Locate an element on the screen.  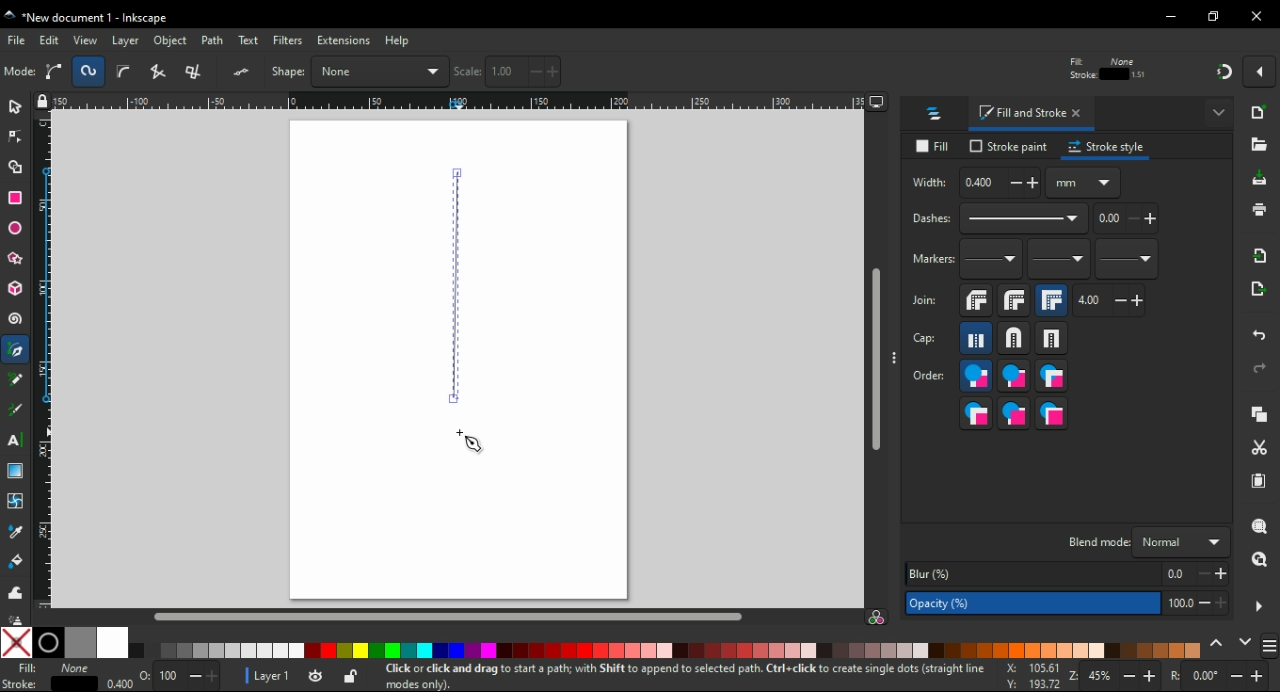
object flip  vertical is located at coordinates (286, 71).